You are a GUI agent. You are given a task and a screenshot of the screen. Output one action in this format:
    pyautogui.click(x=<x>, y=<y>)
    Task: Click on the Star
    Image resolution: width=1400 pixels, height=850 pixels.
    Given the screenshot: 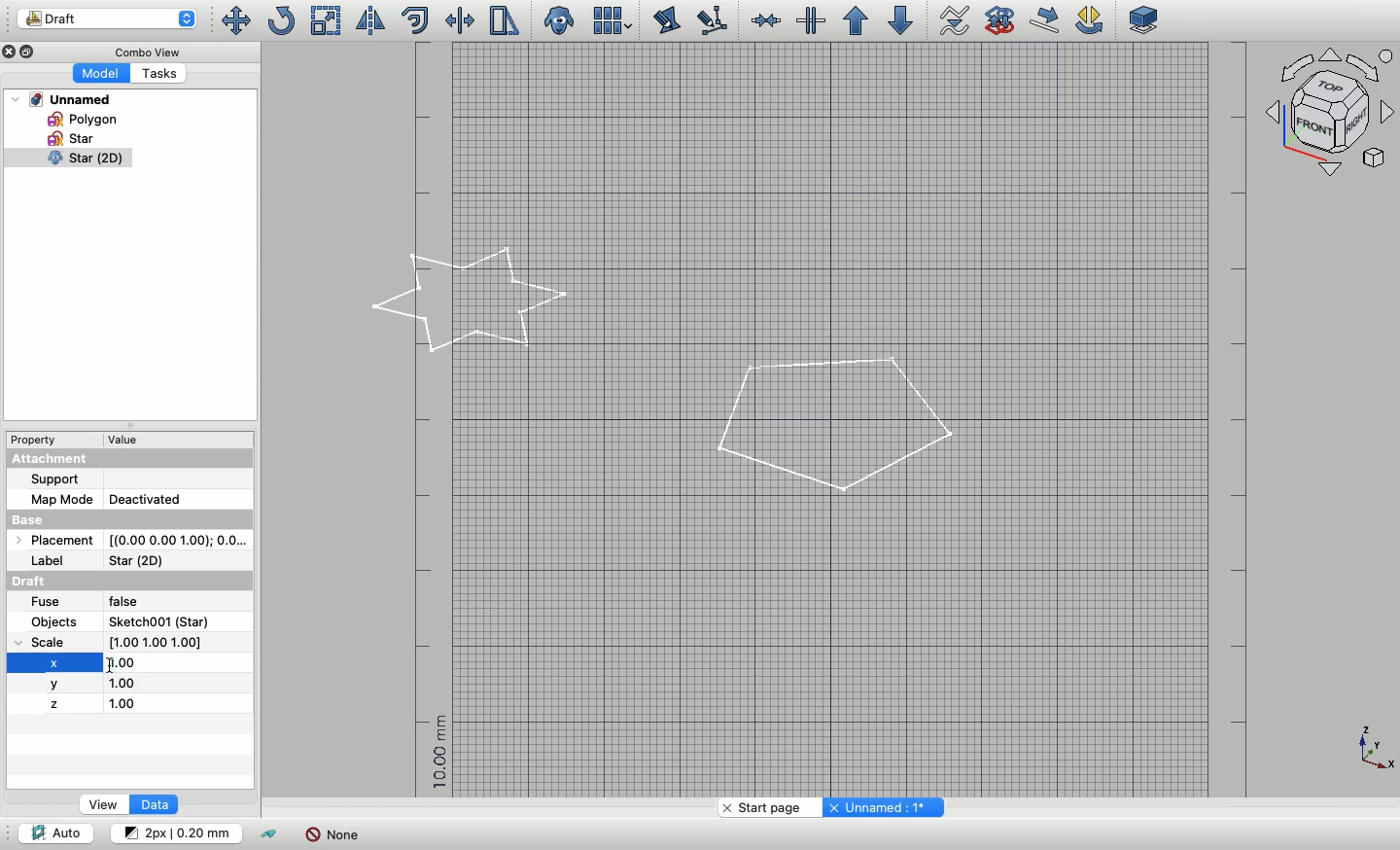 What is the action you would take?
    pyautogui.click(x=73, y=138)
    